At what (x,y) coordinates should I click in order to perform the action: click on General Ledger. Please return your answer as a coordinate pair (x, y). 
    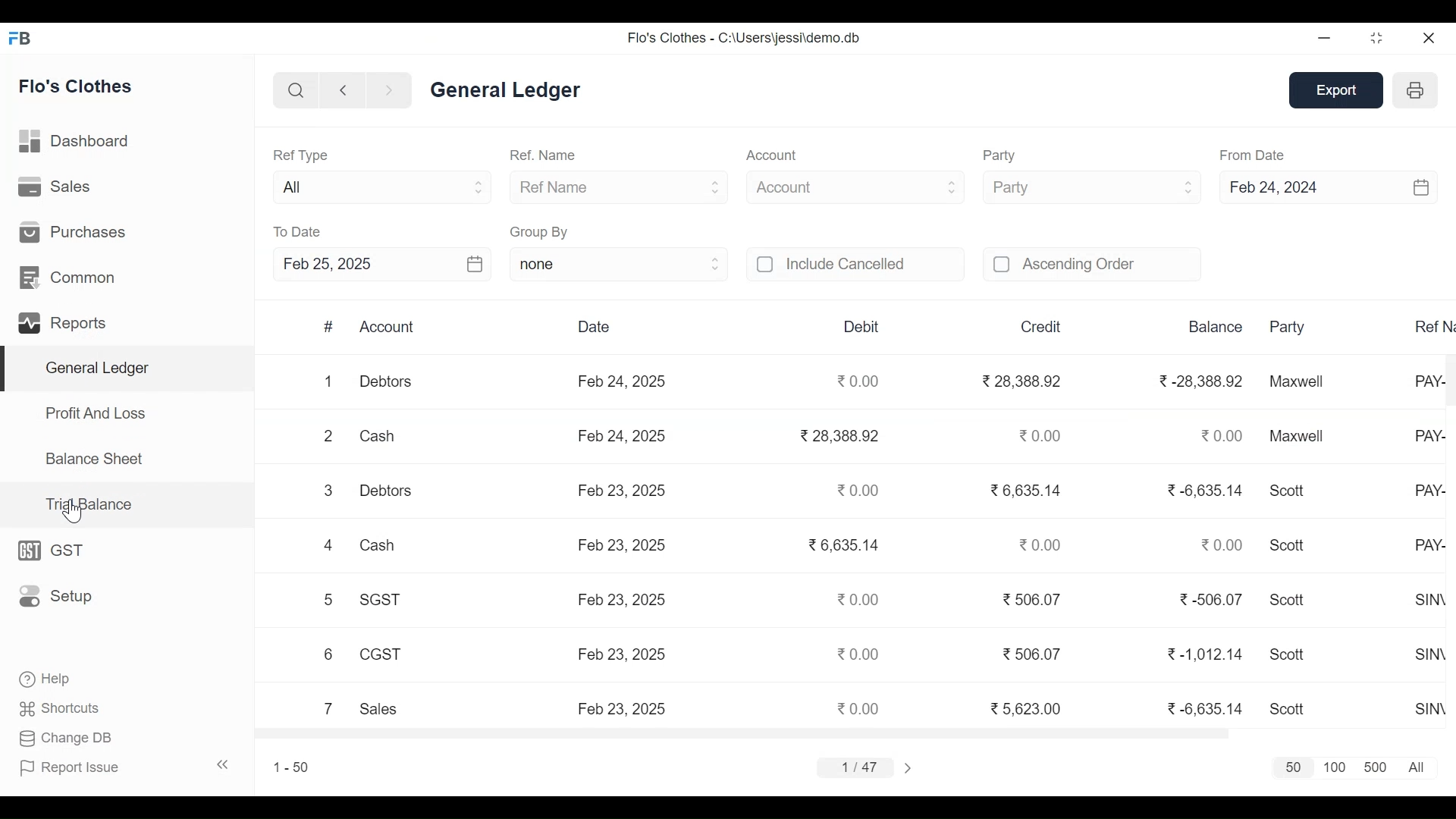
    Looking at the image, I should click on (507, 92).